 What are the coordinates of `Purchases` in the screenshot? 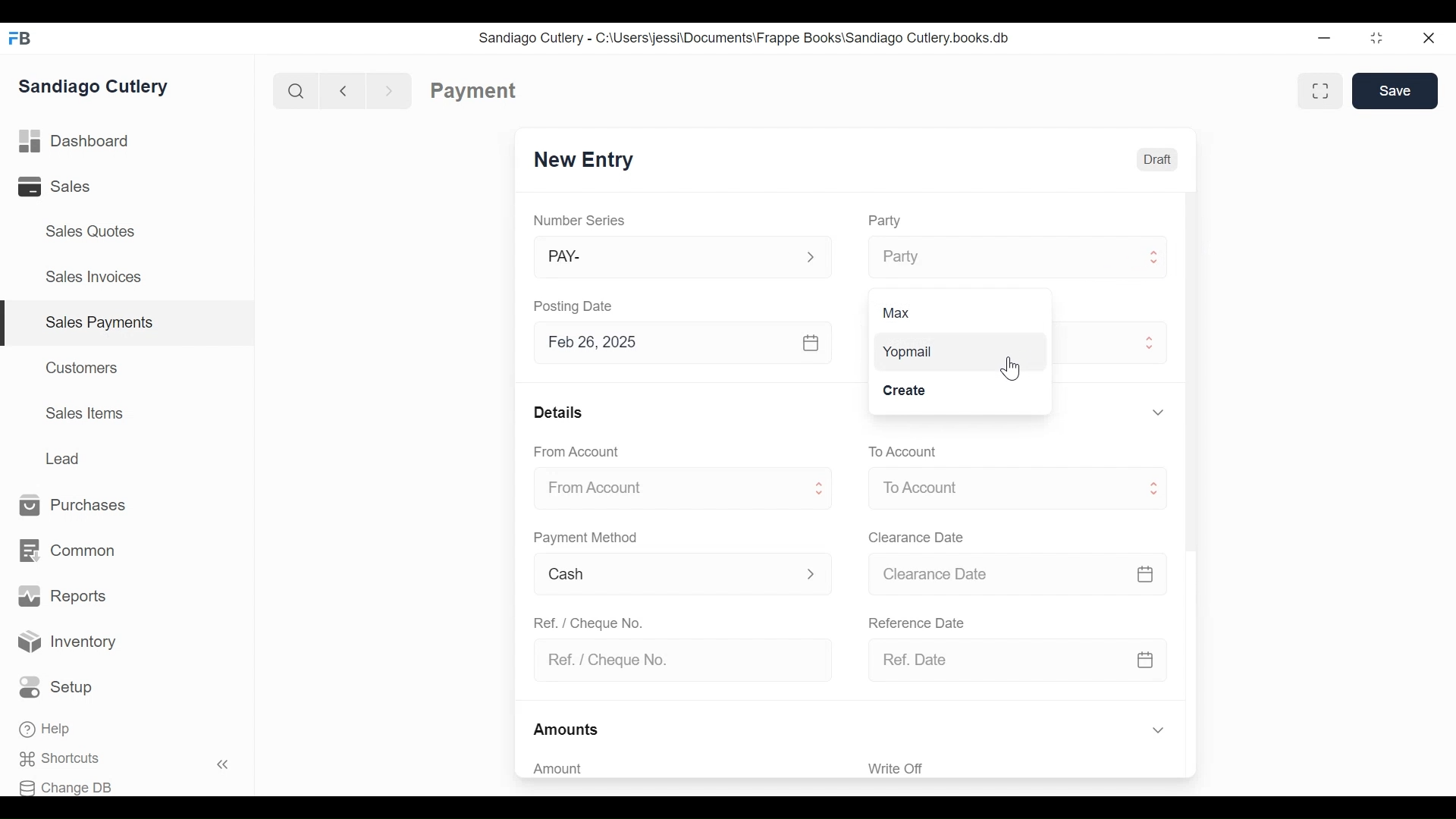 It's located at (74, 506).